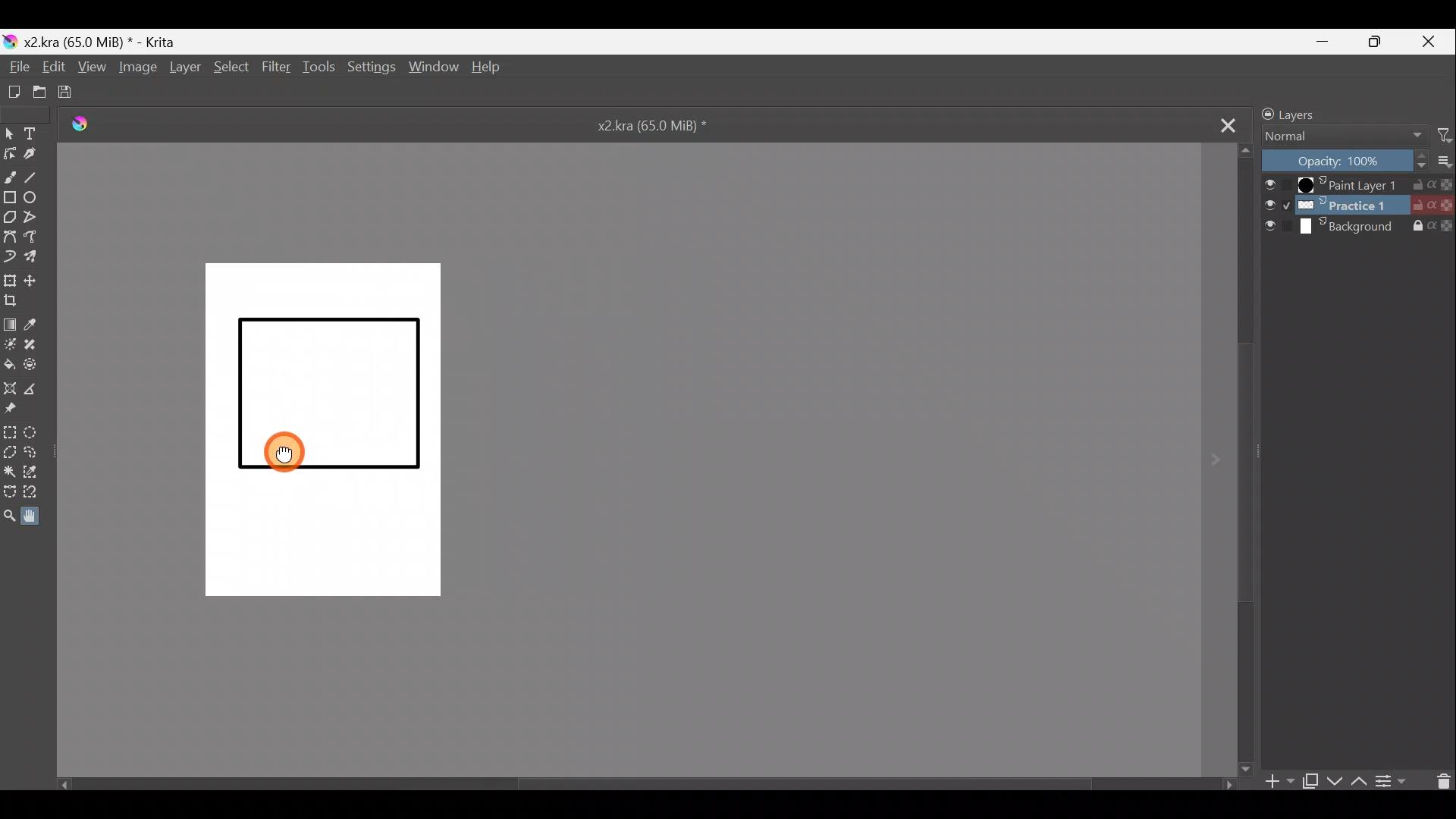 This screenshot has width=1456, height=819. I want to click on Measure distance between two points, so click(33, 389).